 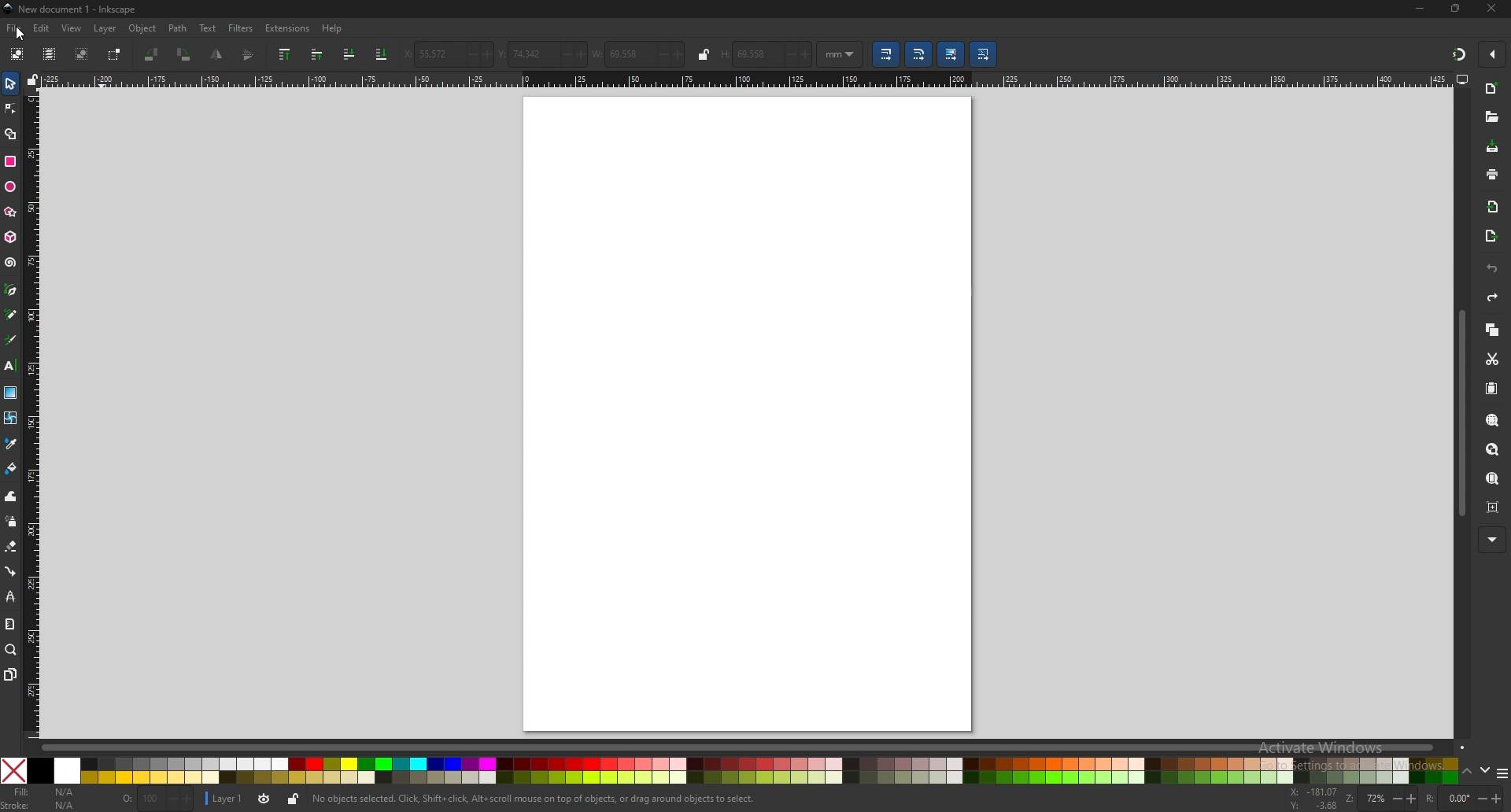 I want to click on lower selection to bottom, so click(x=382, y=54).